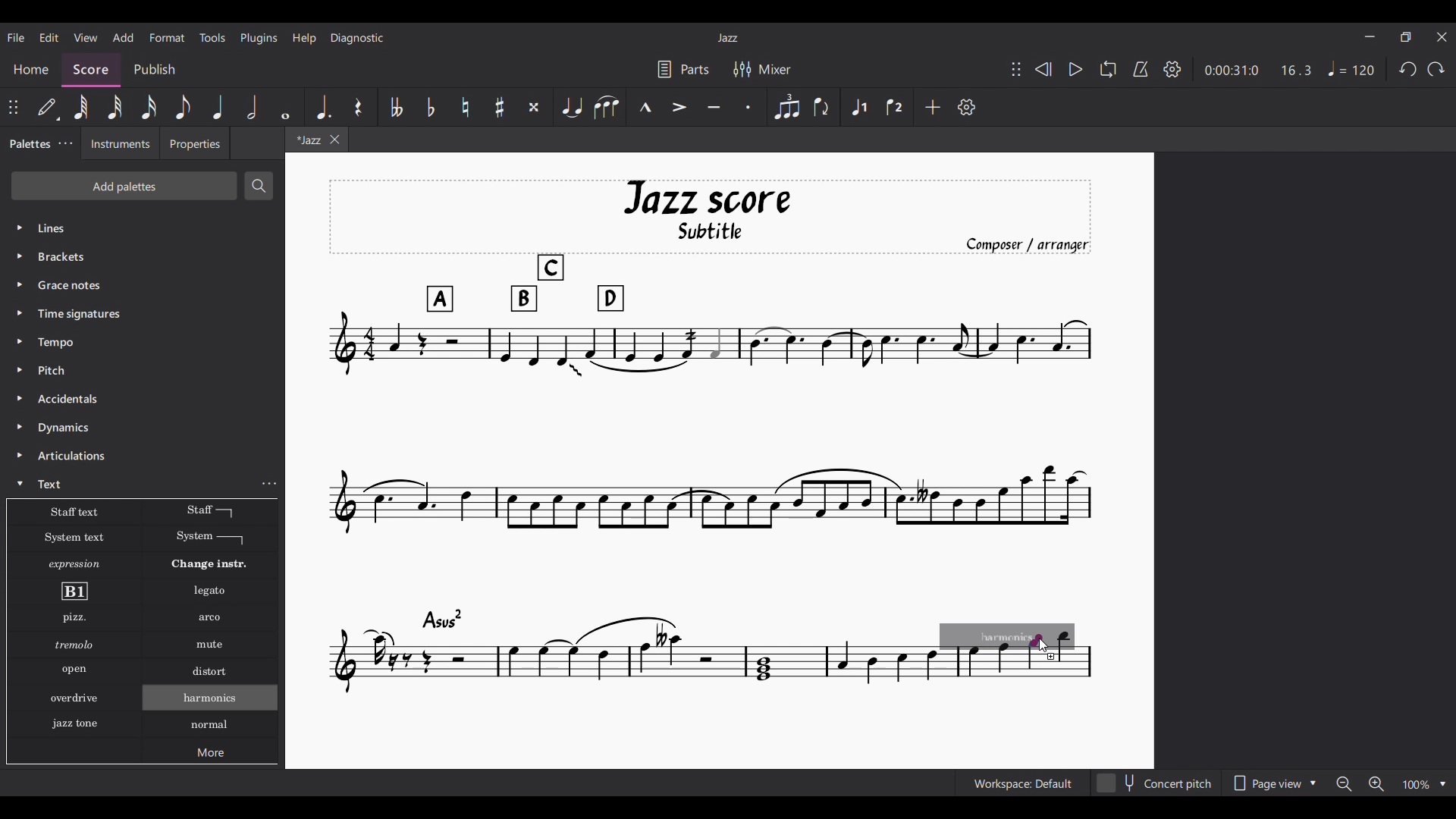 This screenshot has width=1456, height=819. I want to click on Concert pitch toggle, so click(1156, 783).